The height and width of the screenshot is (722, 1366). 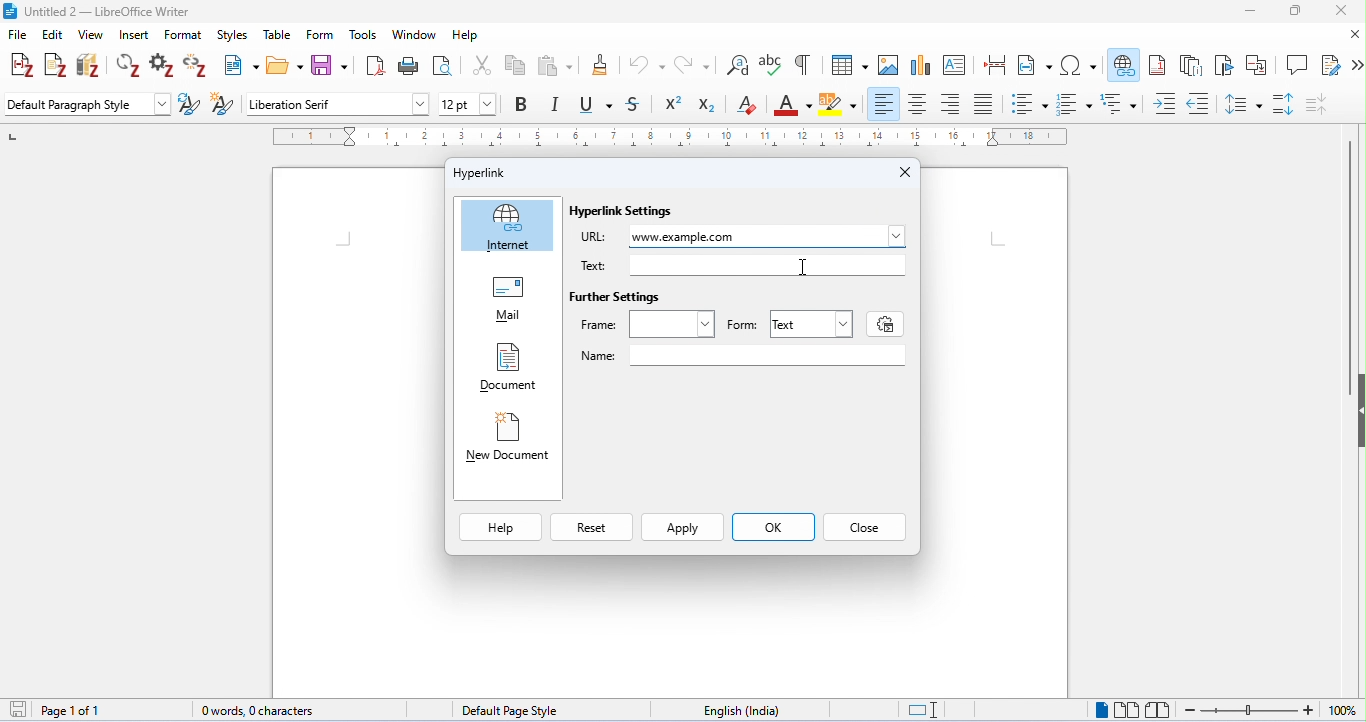 I want to click on save, so click(x=21, y=710).